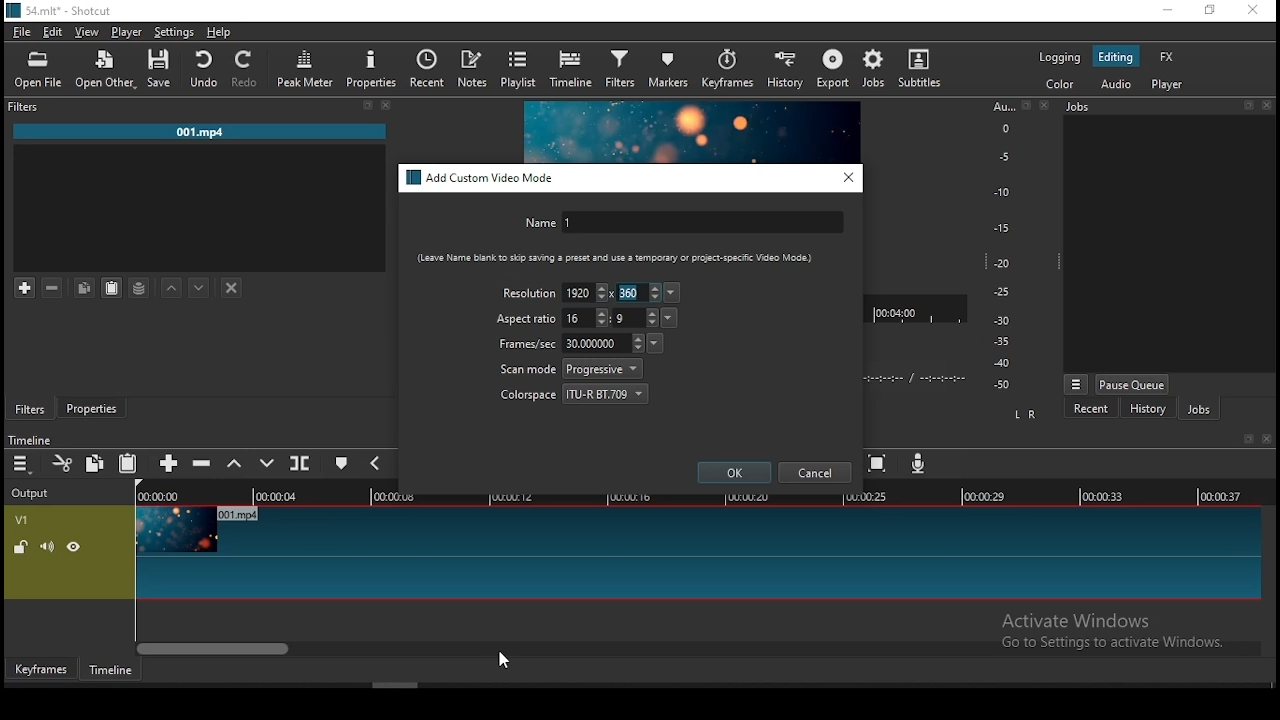 This screenshot has height=720, width=1280. I want to click on , so click(1270, 439).